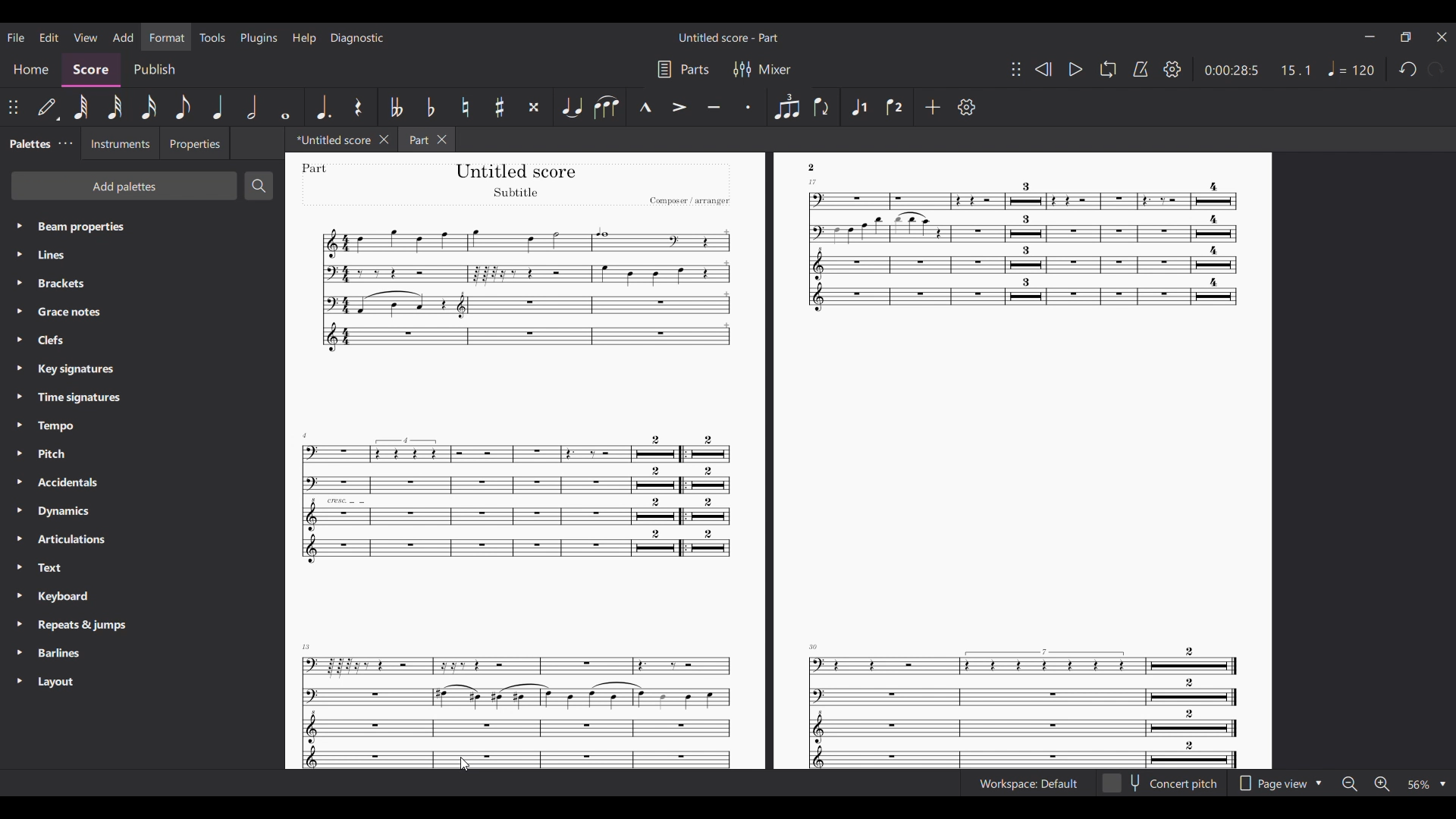 The height and width of the screenshot is (819, 1456). Describe the element at coordinates (259, 38) in the screenshot. I see `Plugins menu` at that location.